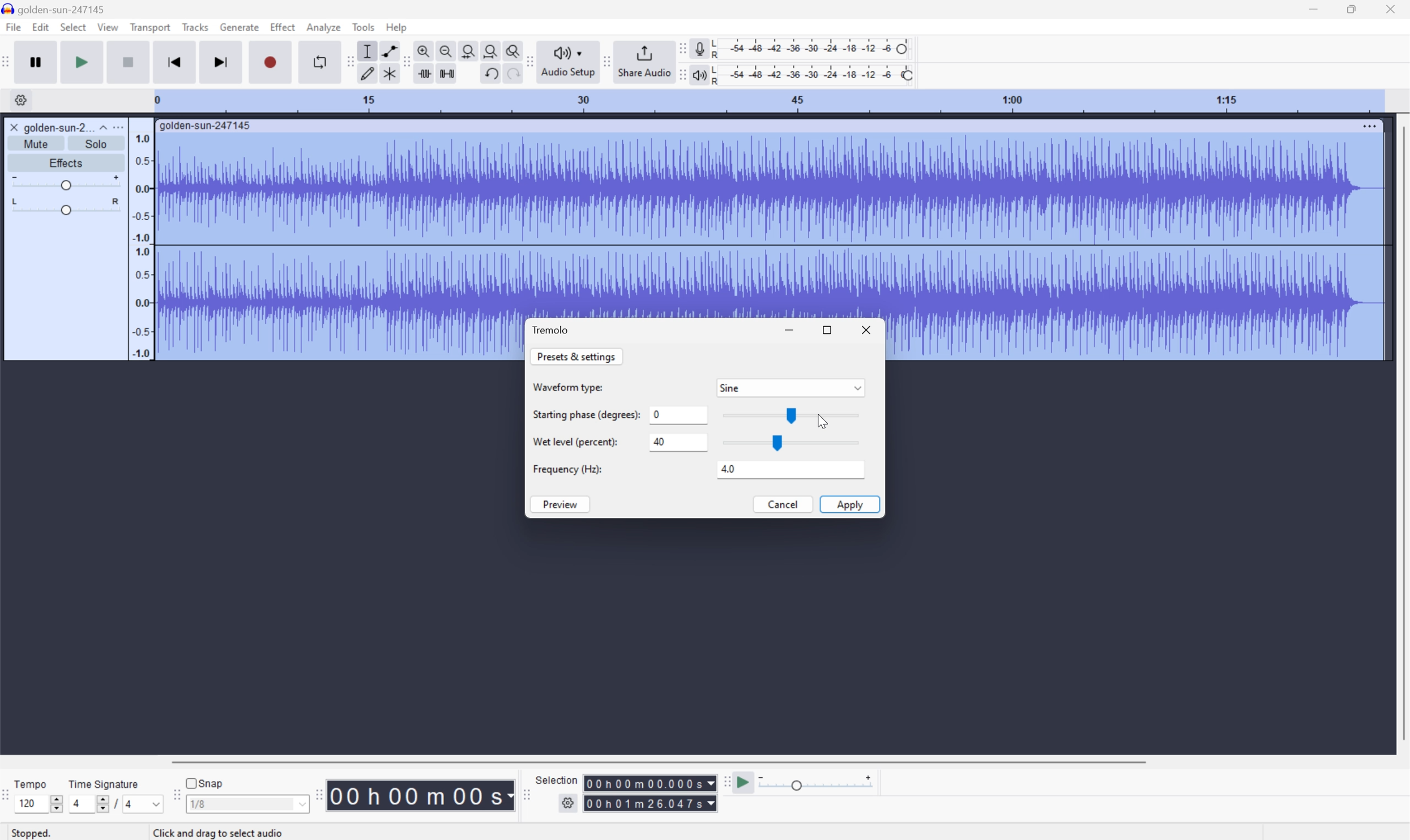 The image size is (1410, 840). I want to click on Wet level (percent):, so click(576, 441).